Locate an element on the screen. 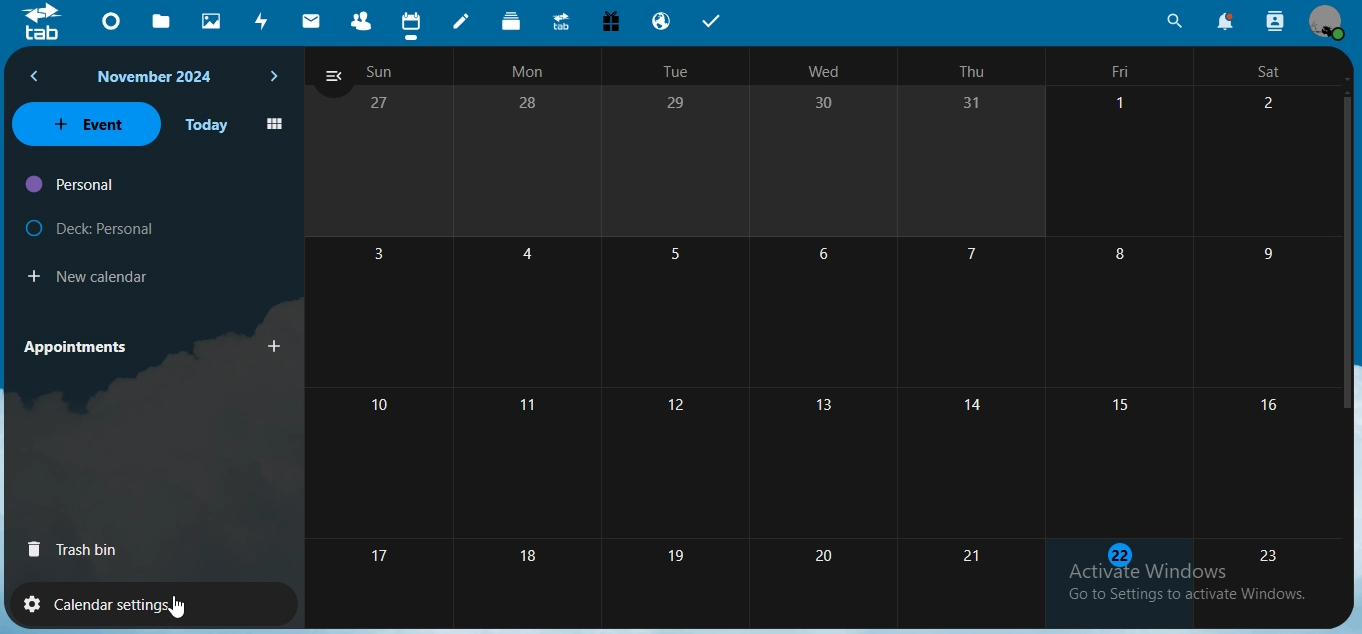 The height and width of the screenshot is (634, 1362). photos is located at coordinates (212, 22).